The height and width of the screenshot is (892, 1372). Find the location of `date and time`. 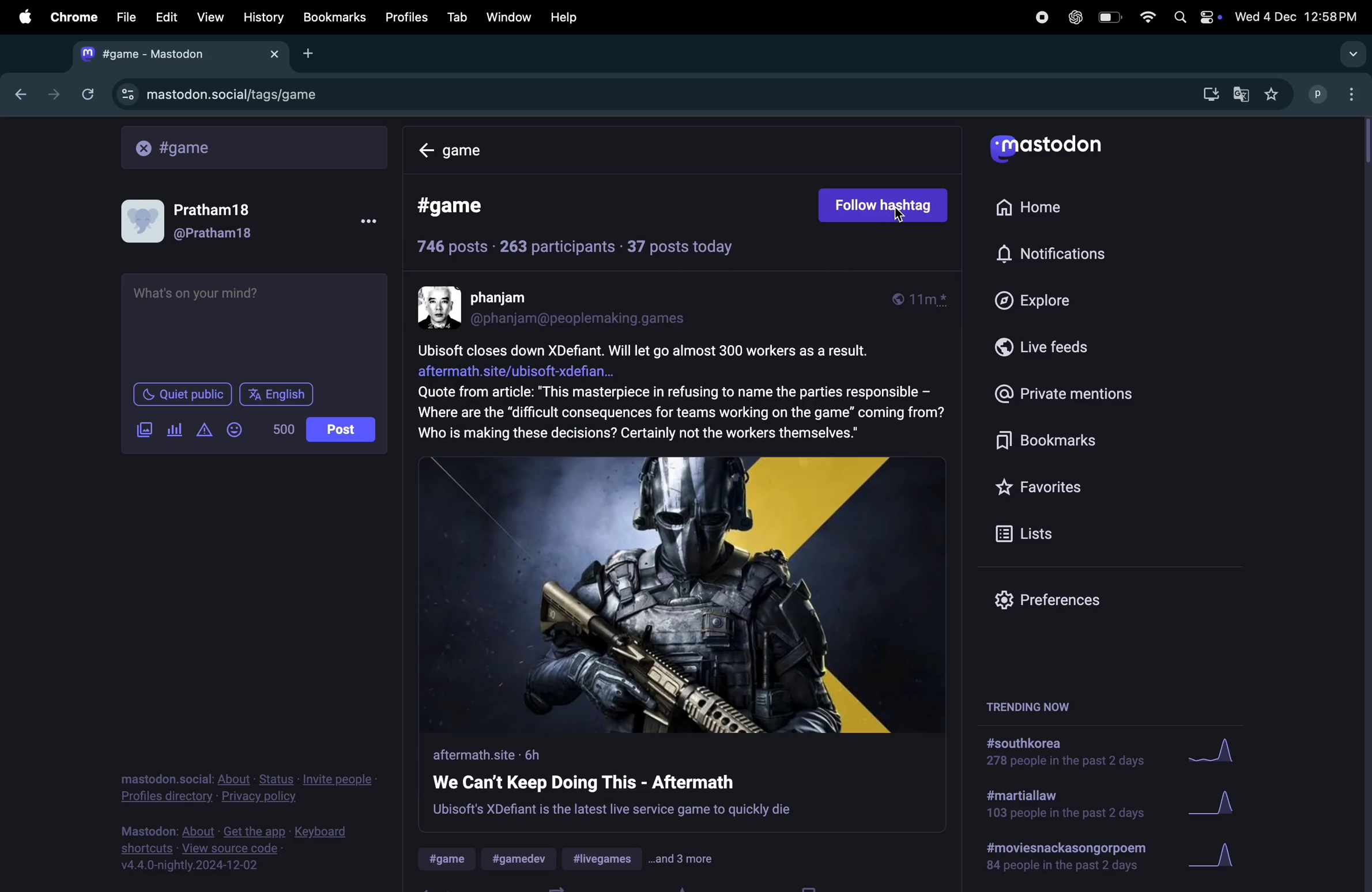

date and time is located at coordinates (1298, 17).